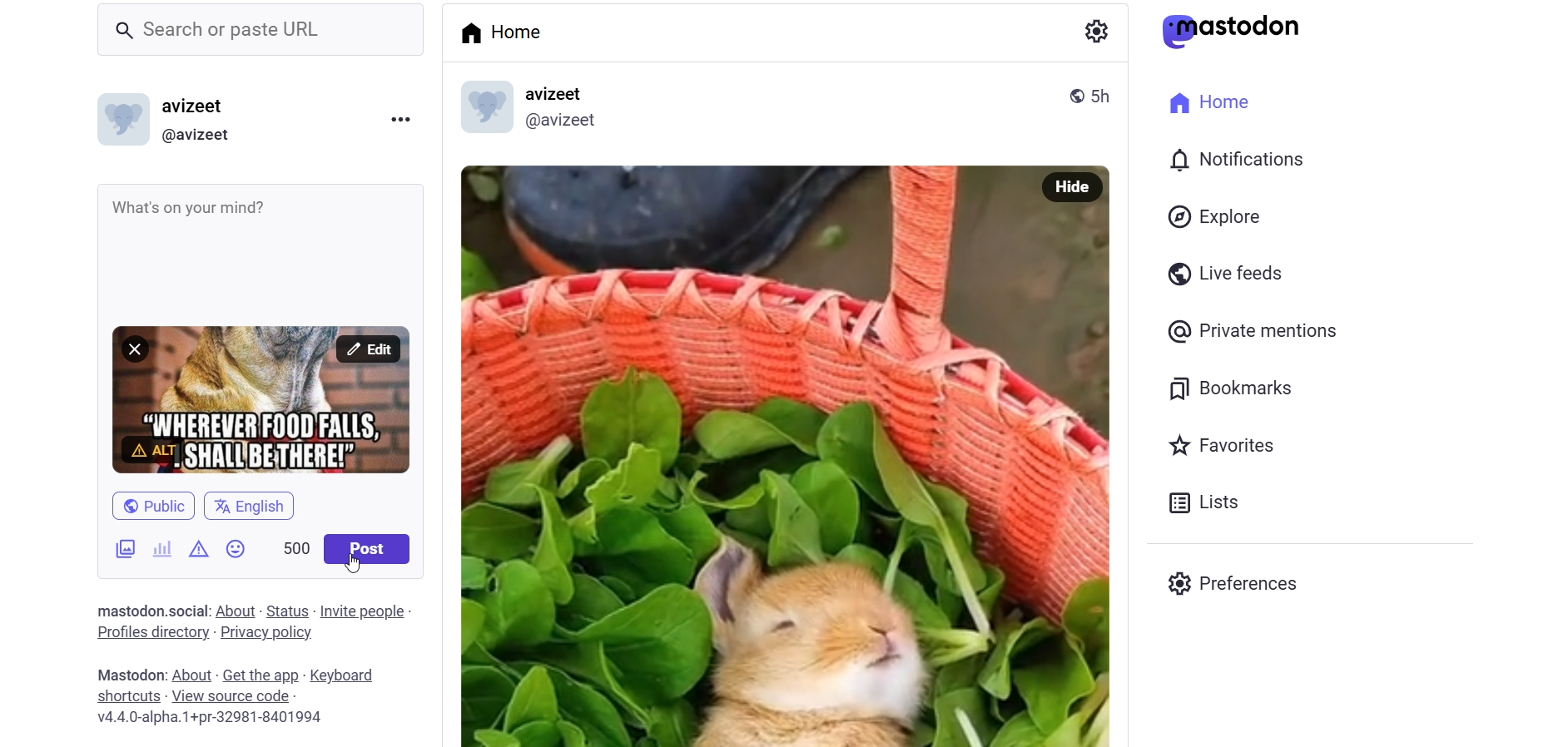 Image resolution: width=1568 pixels, height=747 pixels. Describe the element at coordinates (127, 610) in the screenshot. I see `text` at that location.